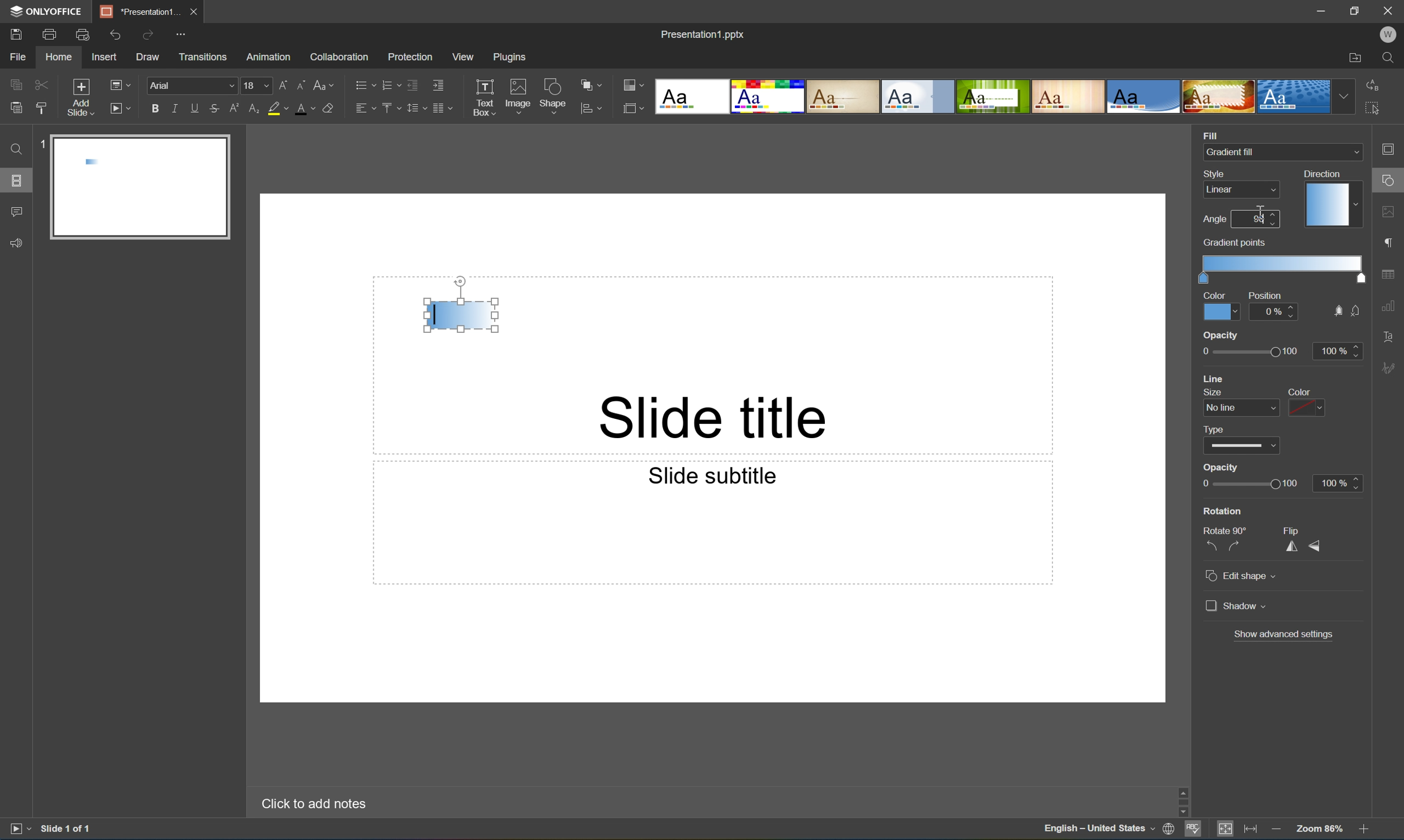  What do you see at coordinates (13, 108) in the screenshot?
I see `Paste` at bounding box center [13, 108].